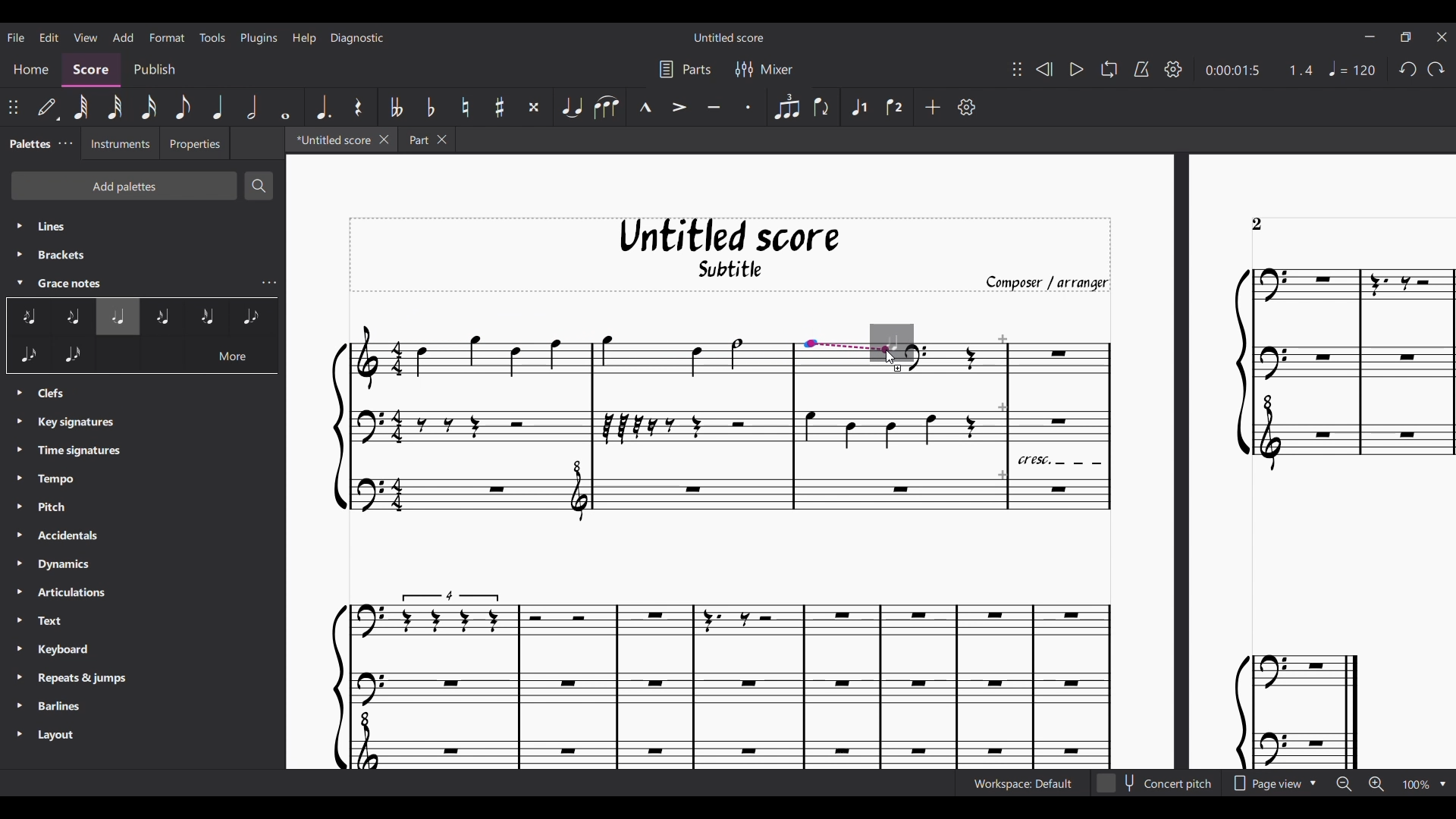 This screenshot has width=1456, height=819. Describe the element at coordinates (149, 570) in the screenshot. I see `Palette list` at that location.